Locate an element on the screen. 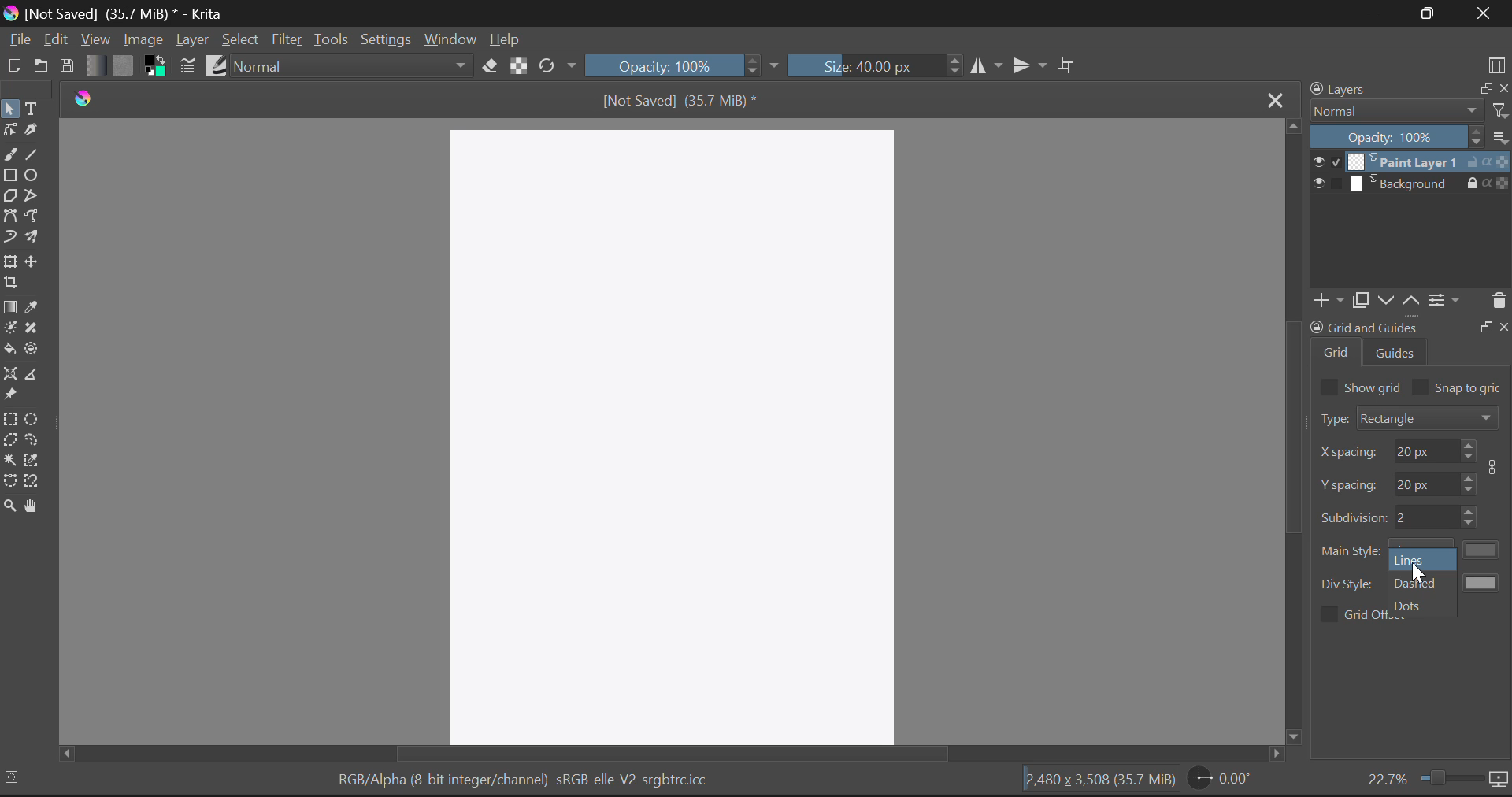  Line is located at coordinates (32, 156).